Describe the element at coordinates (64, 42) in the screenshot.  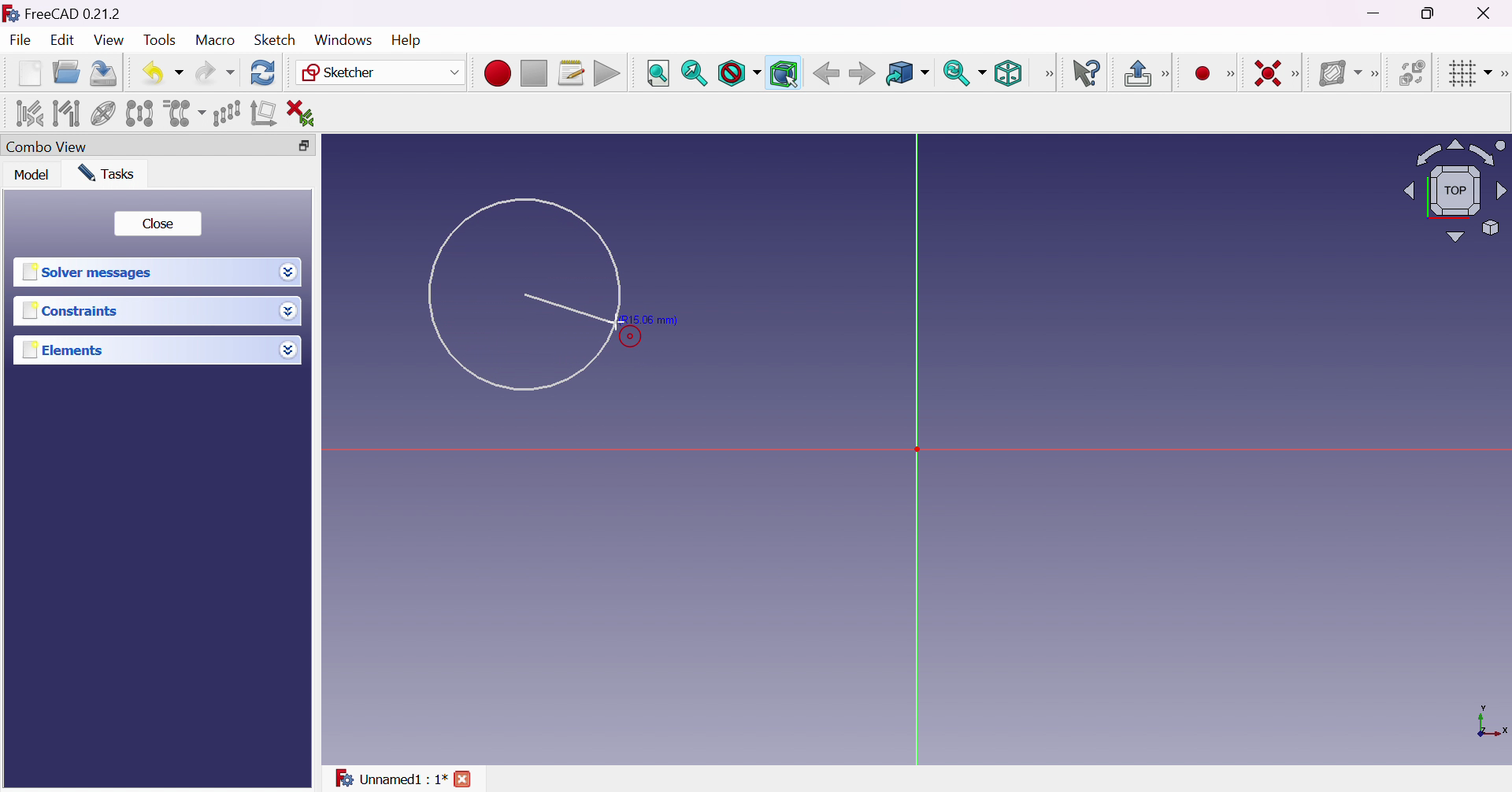
I see `Edit` at that location.